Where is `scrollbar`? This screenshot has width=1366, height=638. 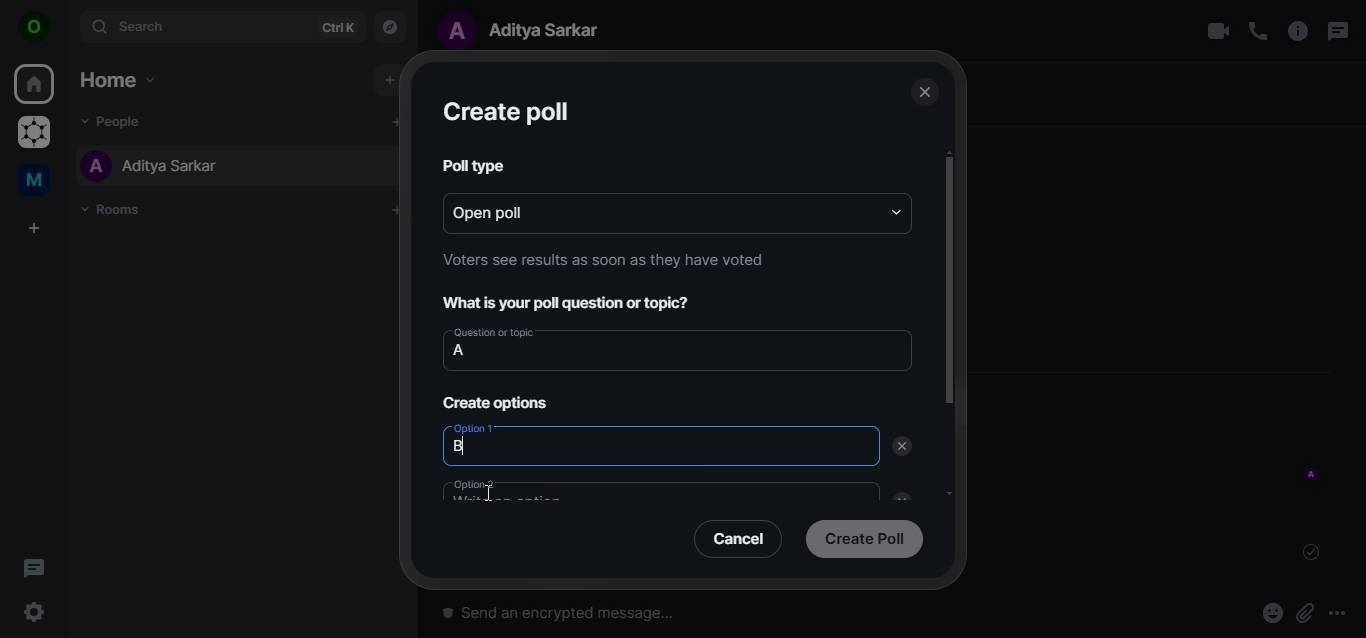
scrollbar is located at coordinates (947, 281).